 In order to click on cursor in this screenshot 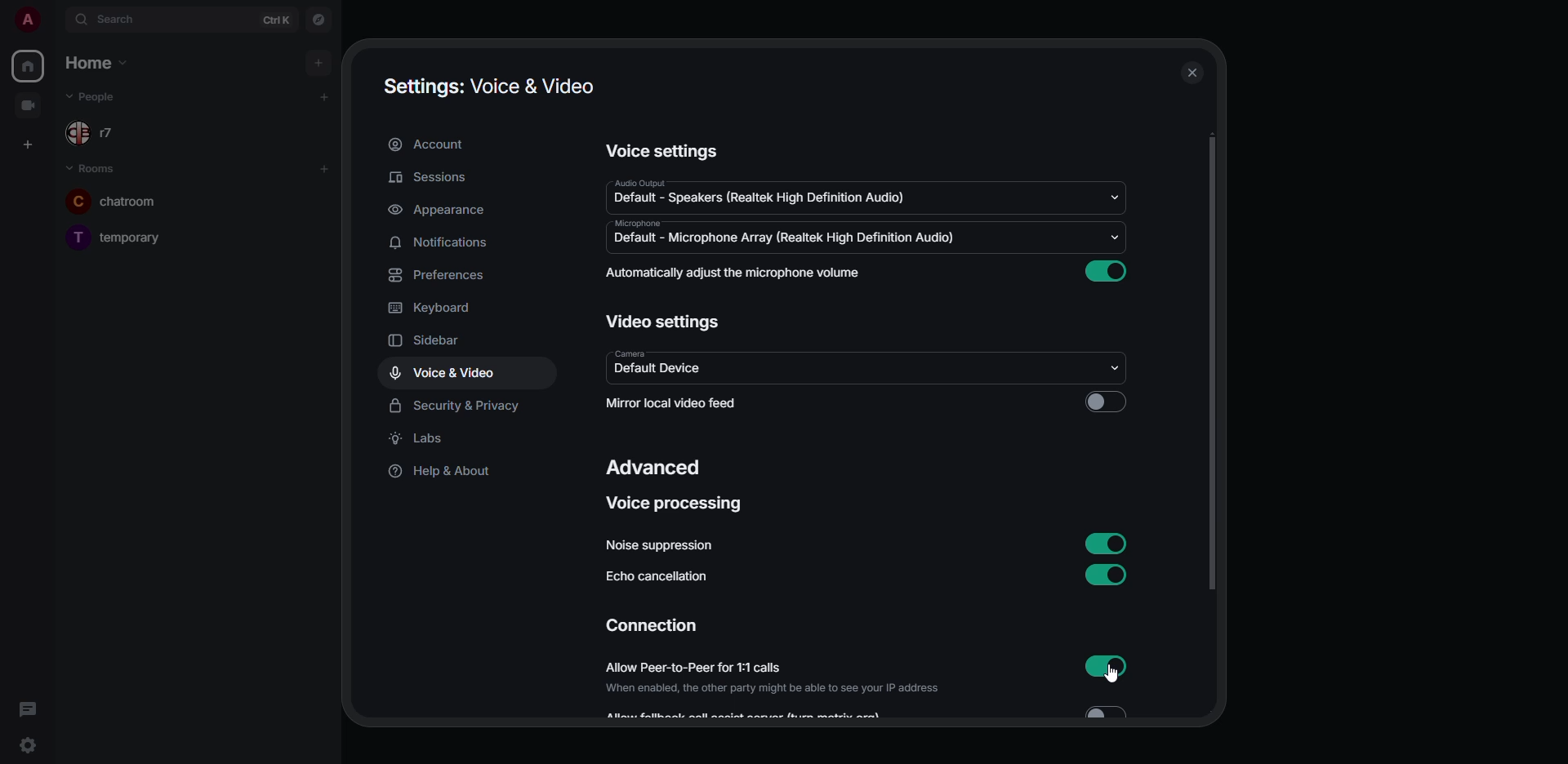, I will do `click(1122, 677)`.